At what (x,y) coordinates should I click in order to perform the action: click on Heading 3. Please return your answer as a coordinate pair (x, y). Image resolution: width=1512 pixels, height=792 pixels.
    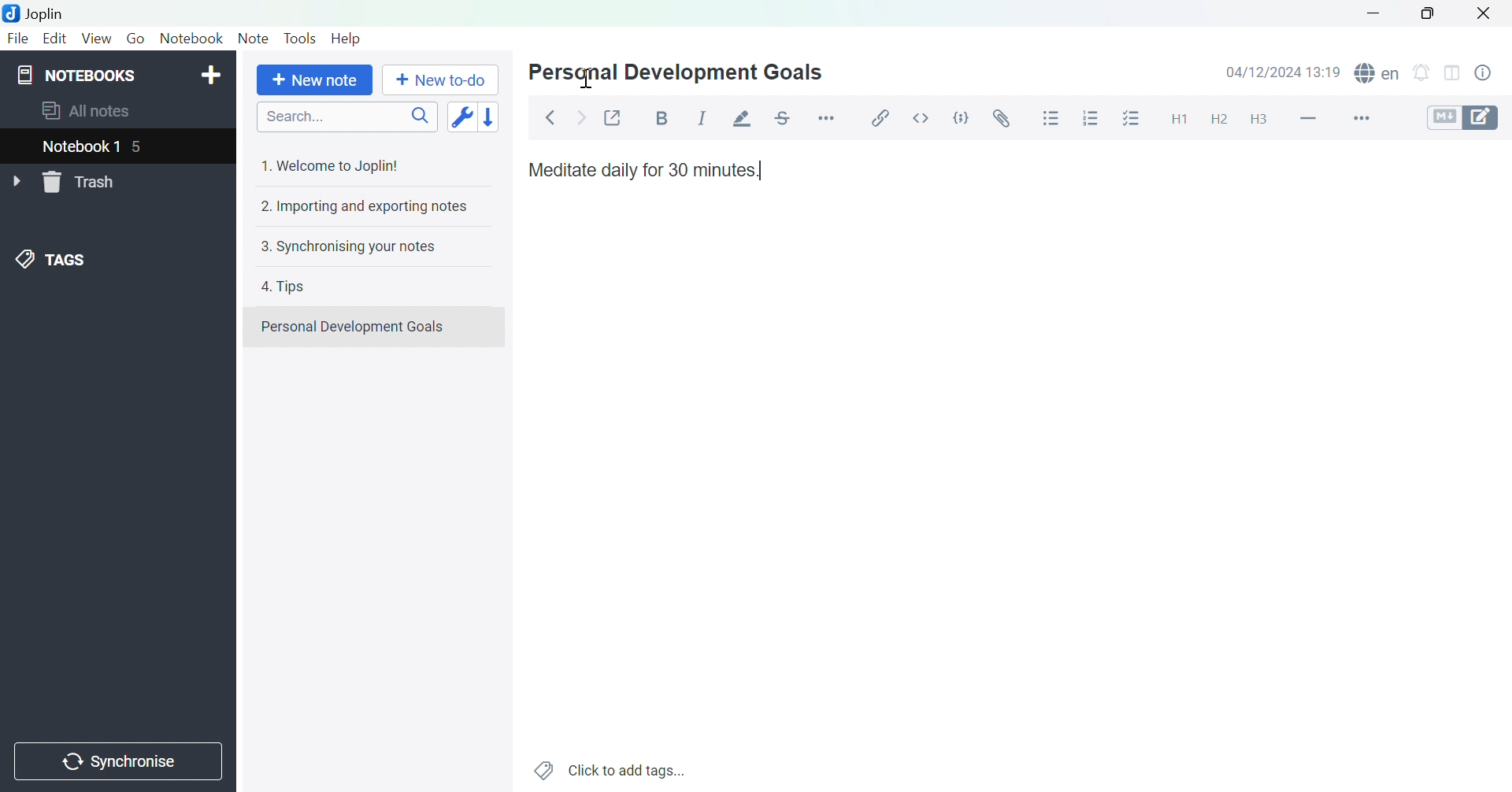
    Looking at the image, I should click on (1258, 120).